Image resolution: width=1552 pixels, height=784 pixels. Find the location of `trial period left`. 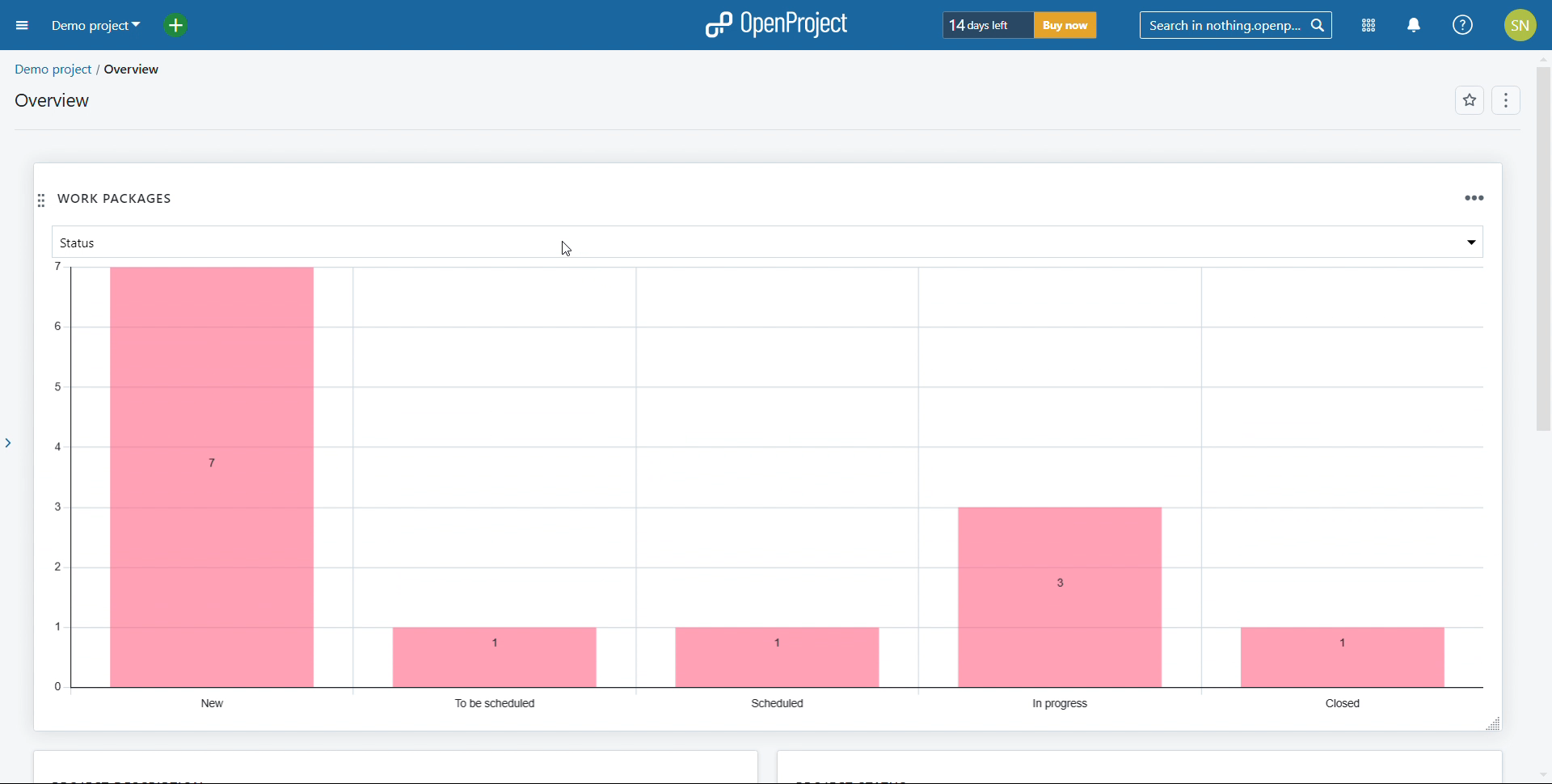

trial period left is located at coordinates (986, 24).